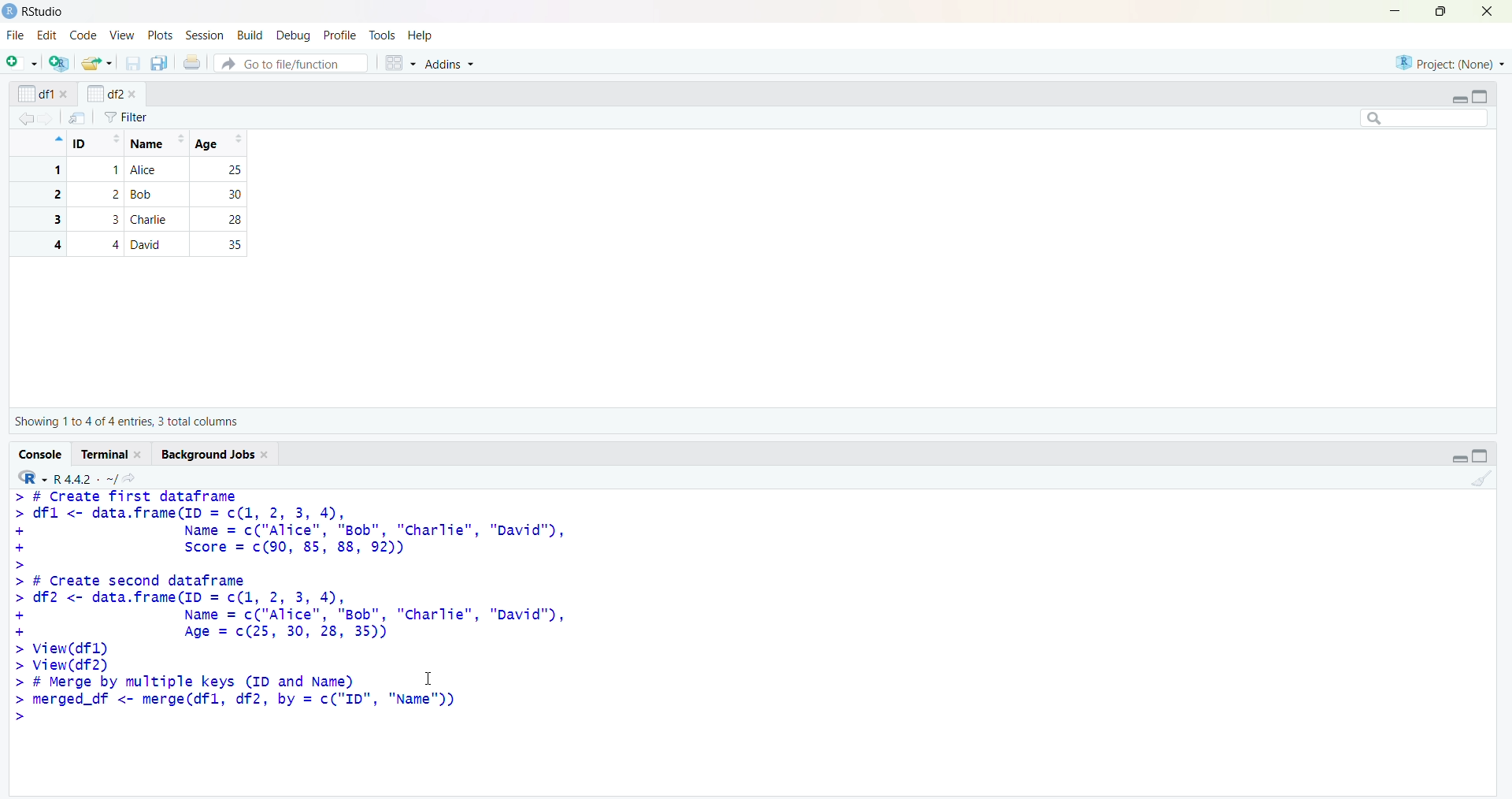 This screenshot has height=799, width=1512. Describe the element at coordinates (420, 35) in the screenshot. I see `Help` at that location.